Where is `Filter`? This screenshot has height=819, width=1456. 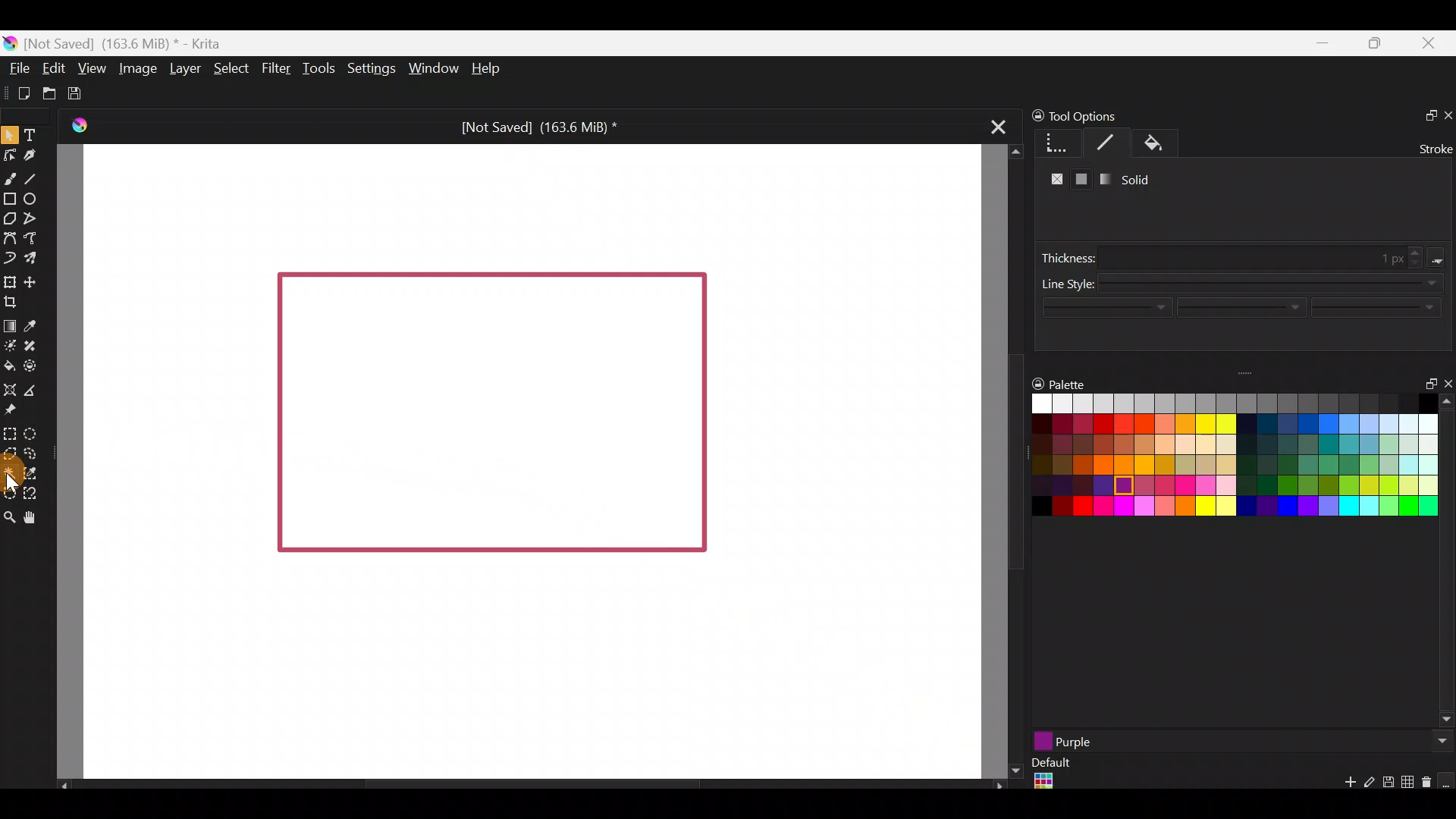
Filter is located at coordinates (274, 68).